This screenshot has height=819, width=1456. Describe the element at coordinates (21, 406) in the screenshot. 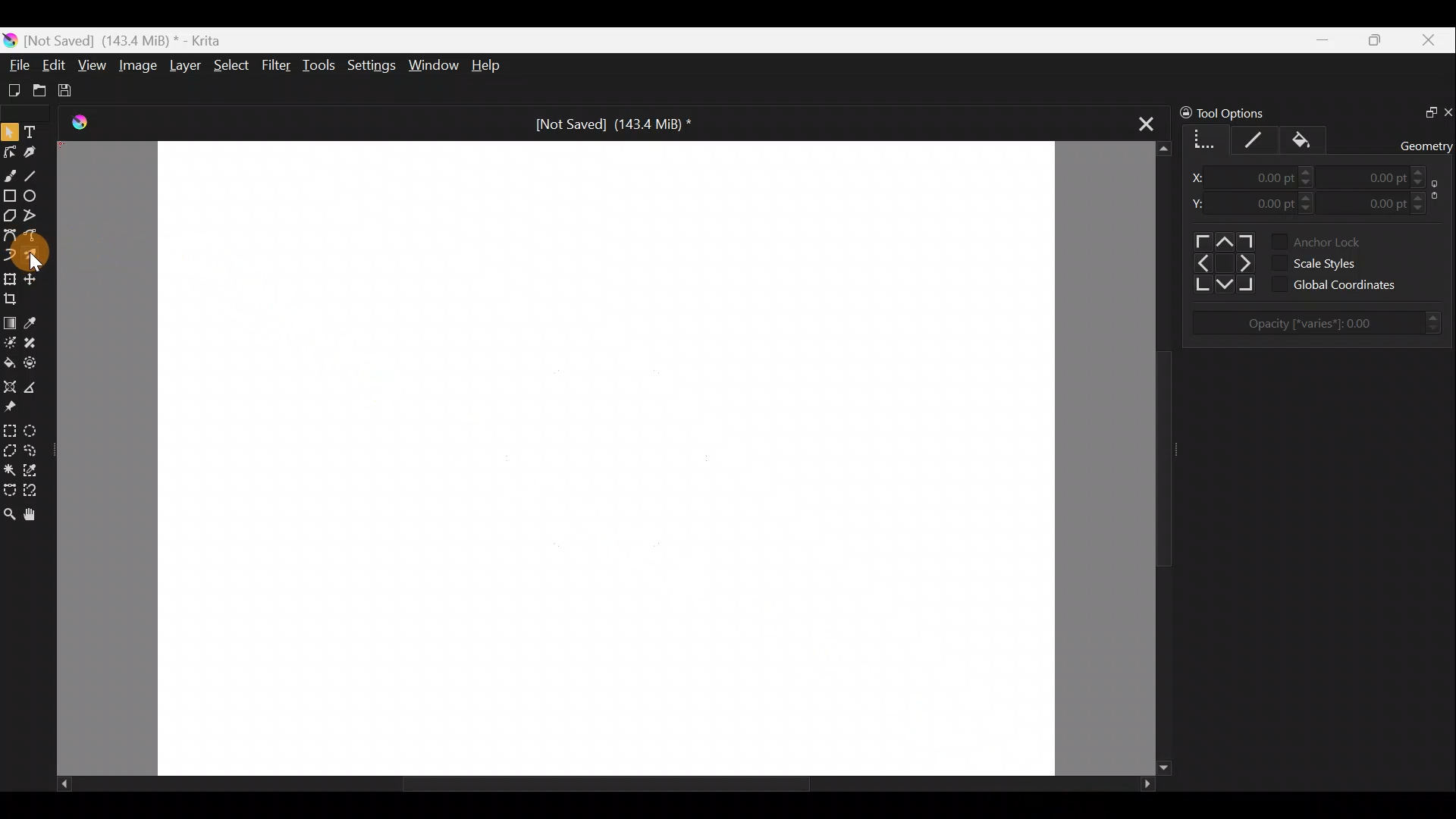

I see `Reference images tool` at that location.